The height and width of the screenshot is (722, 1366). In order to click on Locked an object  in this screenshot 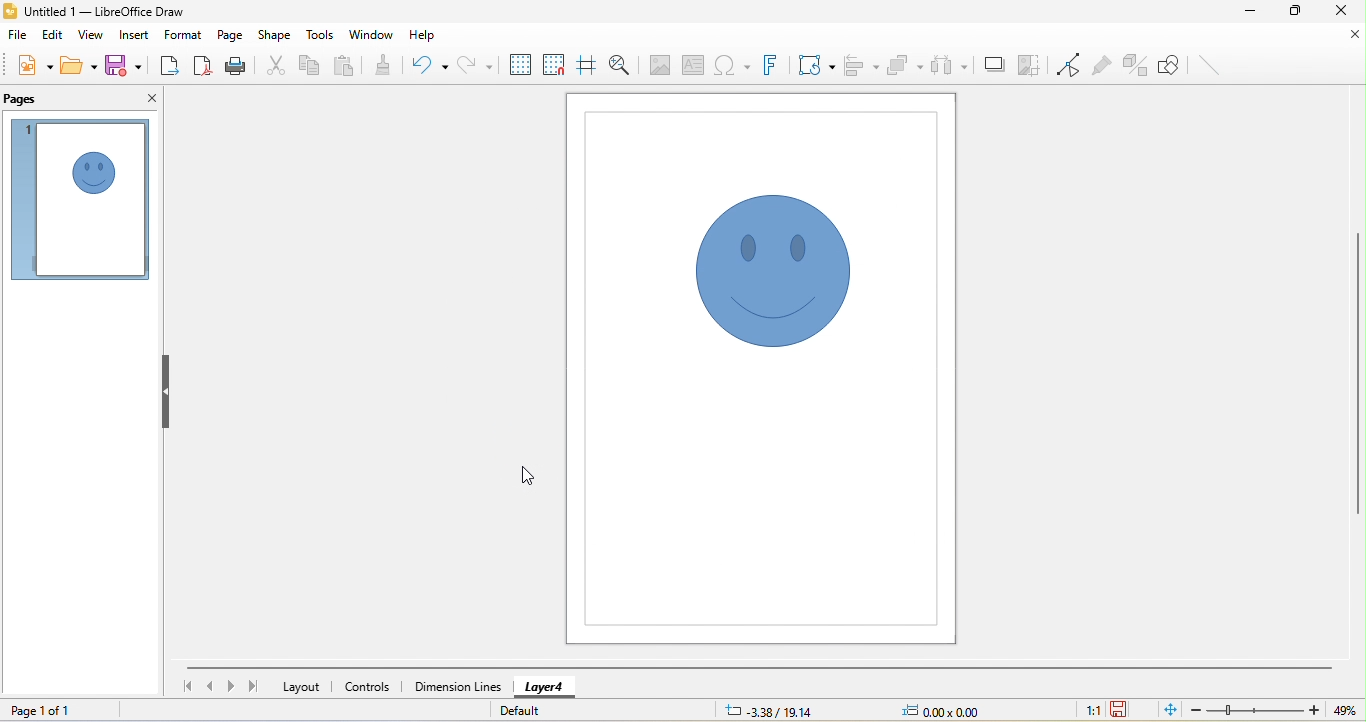, I will do `click(770, 273)`.